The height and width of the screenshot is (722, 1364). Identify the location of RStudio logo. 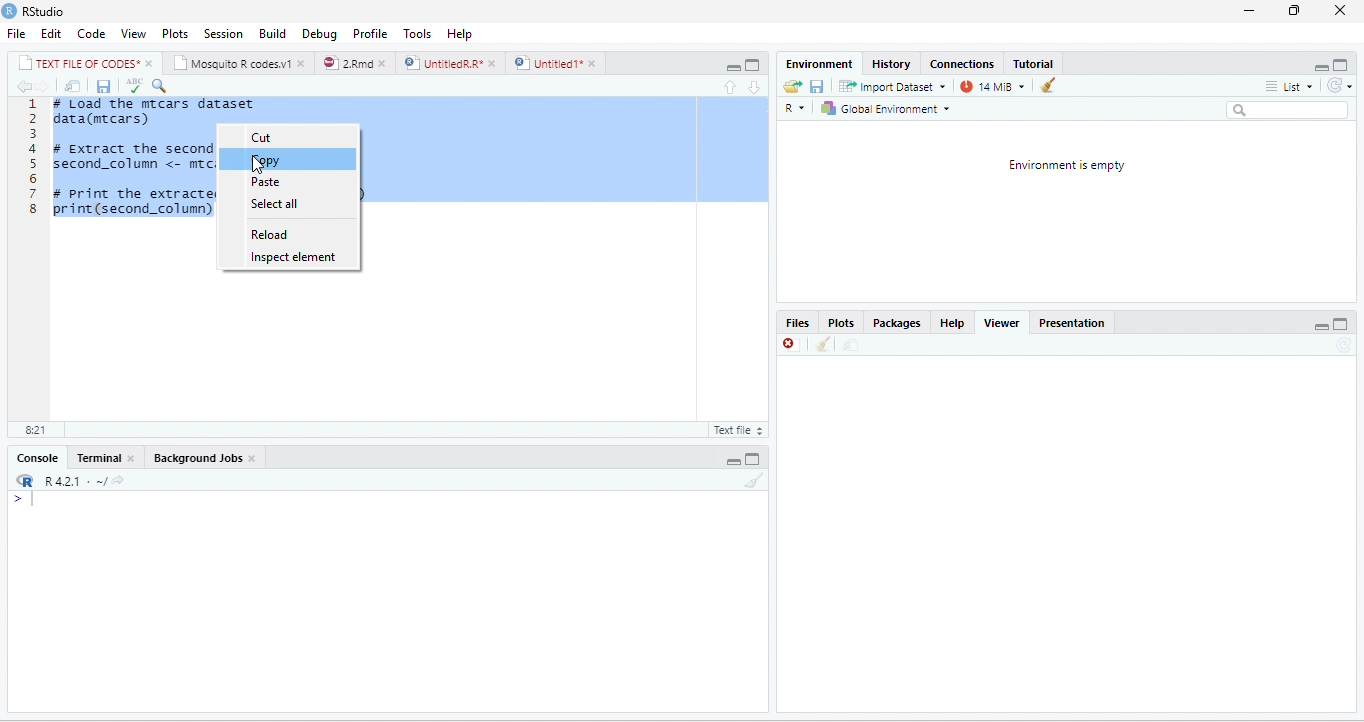
(9, 11).